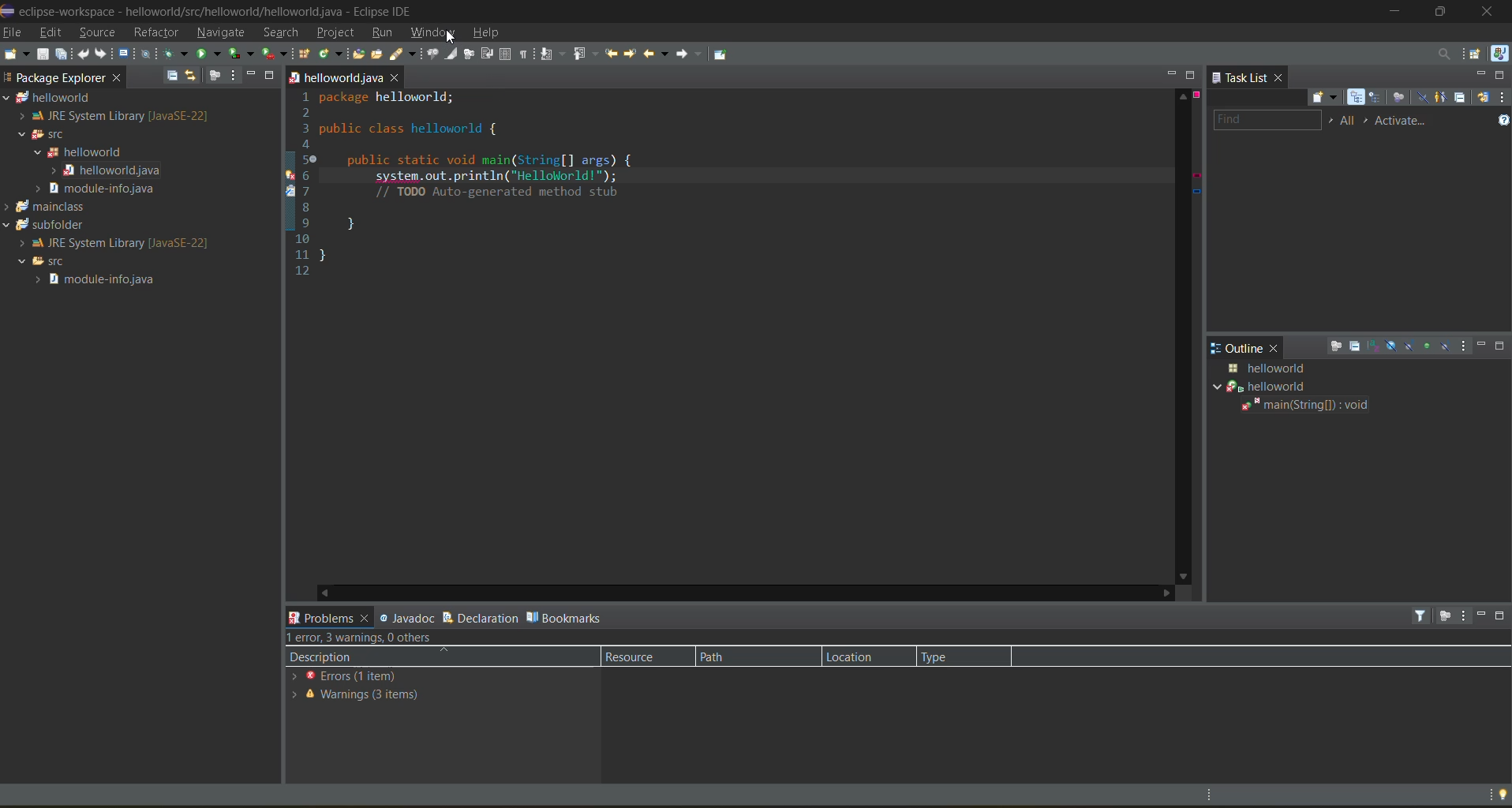 Image resolution: width=1512 pixels, height=808 pixels. I want to click on show only my tasks, so click(1443, 98).